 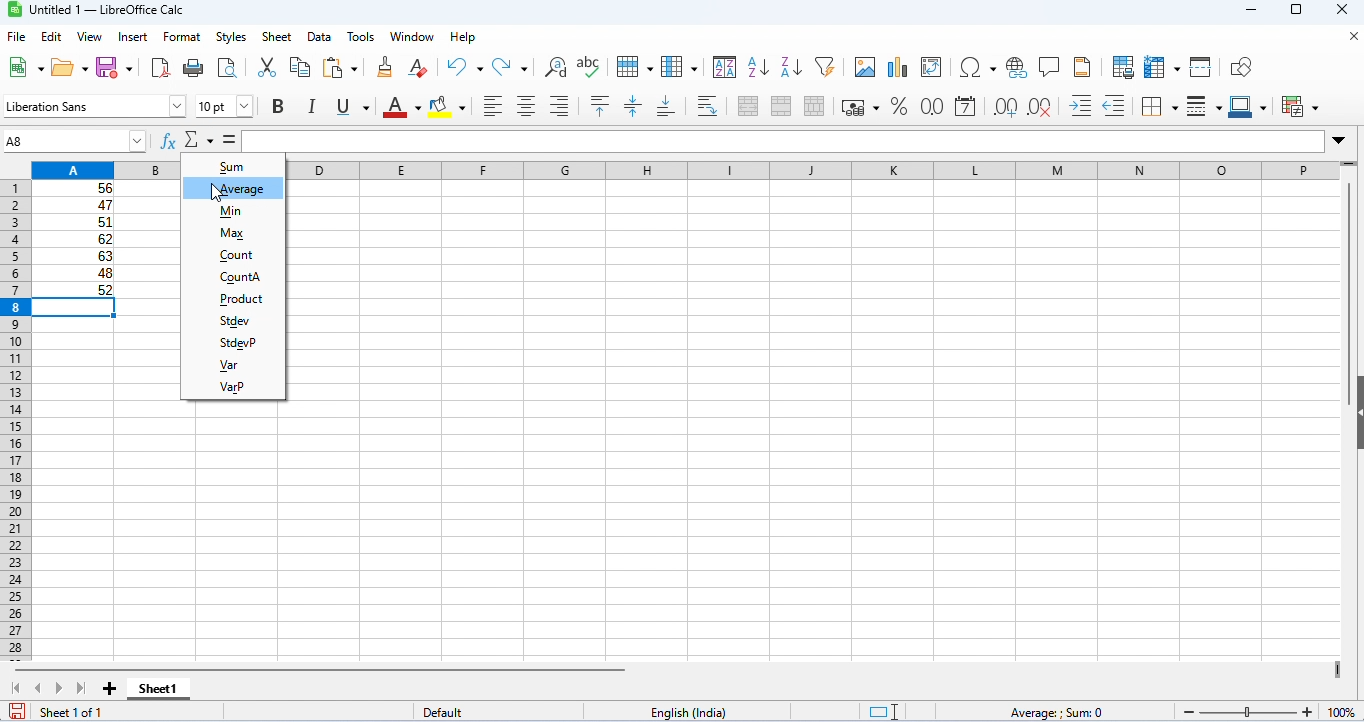 I want to click on data, so click(x=321, y=37).